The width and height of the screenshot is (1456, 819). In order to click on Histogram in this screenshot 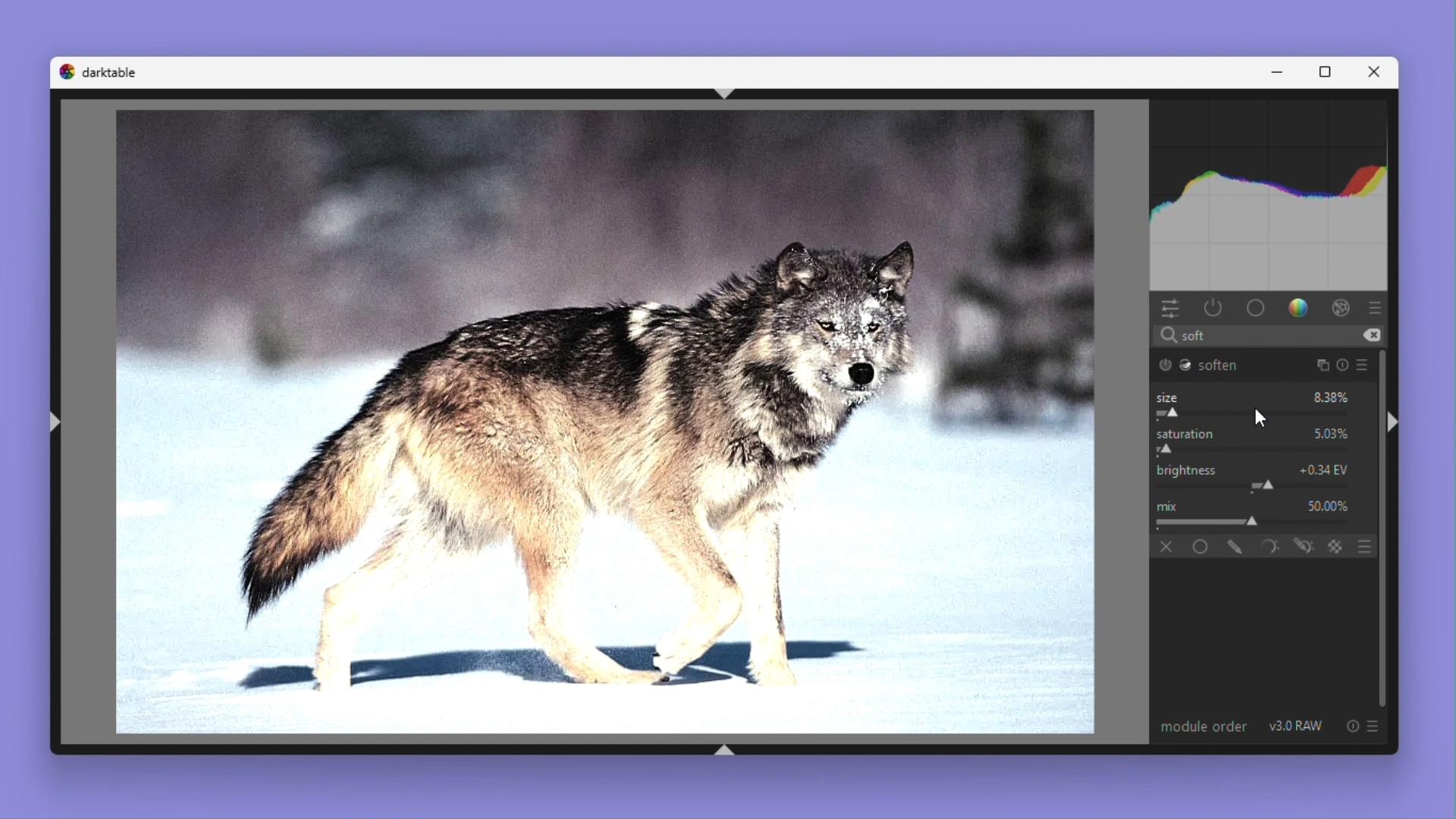, I will do `click(1273, 192)`.